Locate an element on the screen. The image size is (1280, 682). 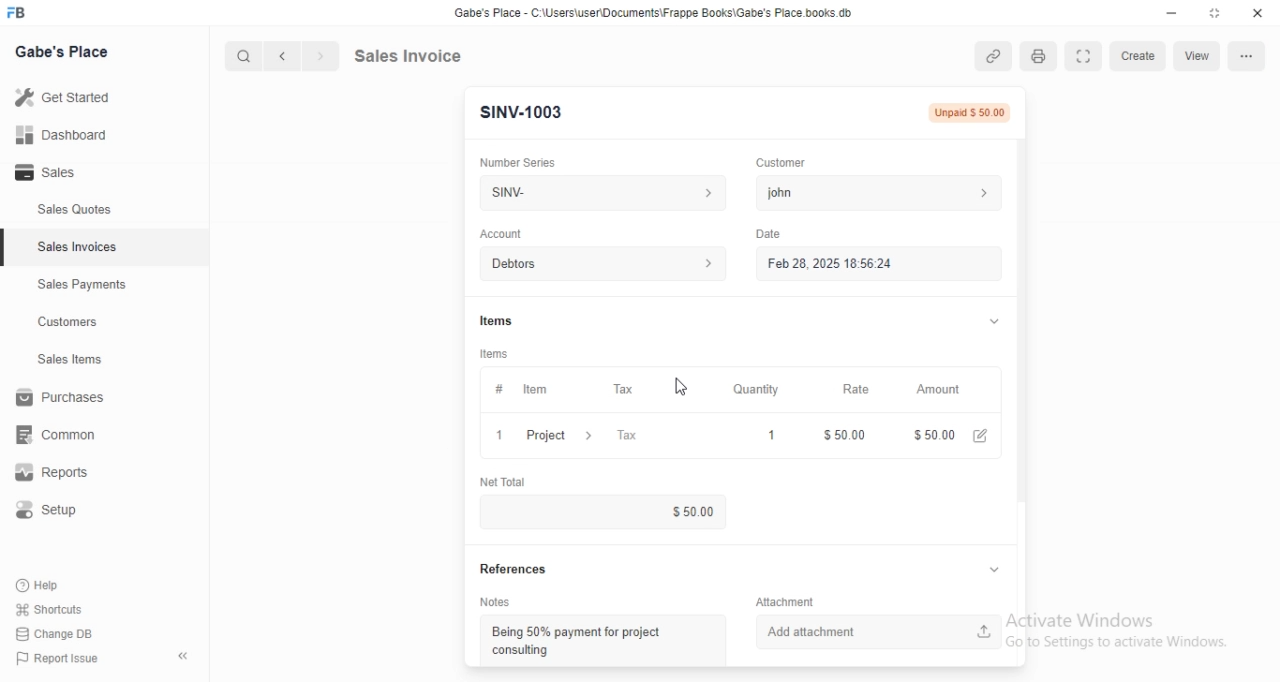
Sales Invoices is located at coordinates (79, 247).